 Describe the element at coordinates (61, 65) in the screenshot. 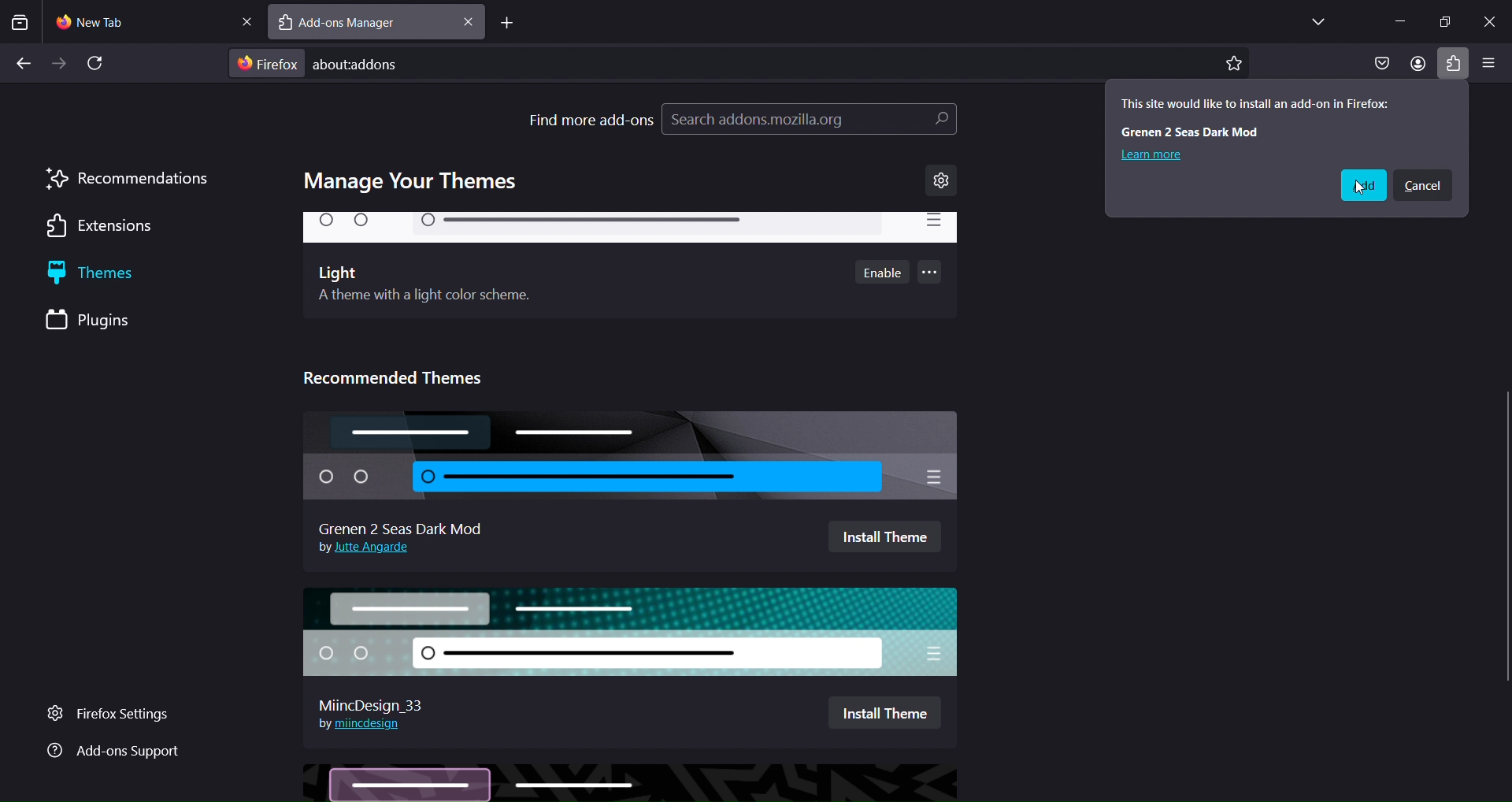

I see `go forward one page` at that location.